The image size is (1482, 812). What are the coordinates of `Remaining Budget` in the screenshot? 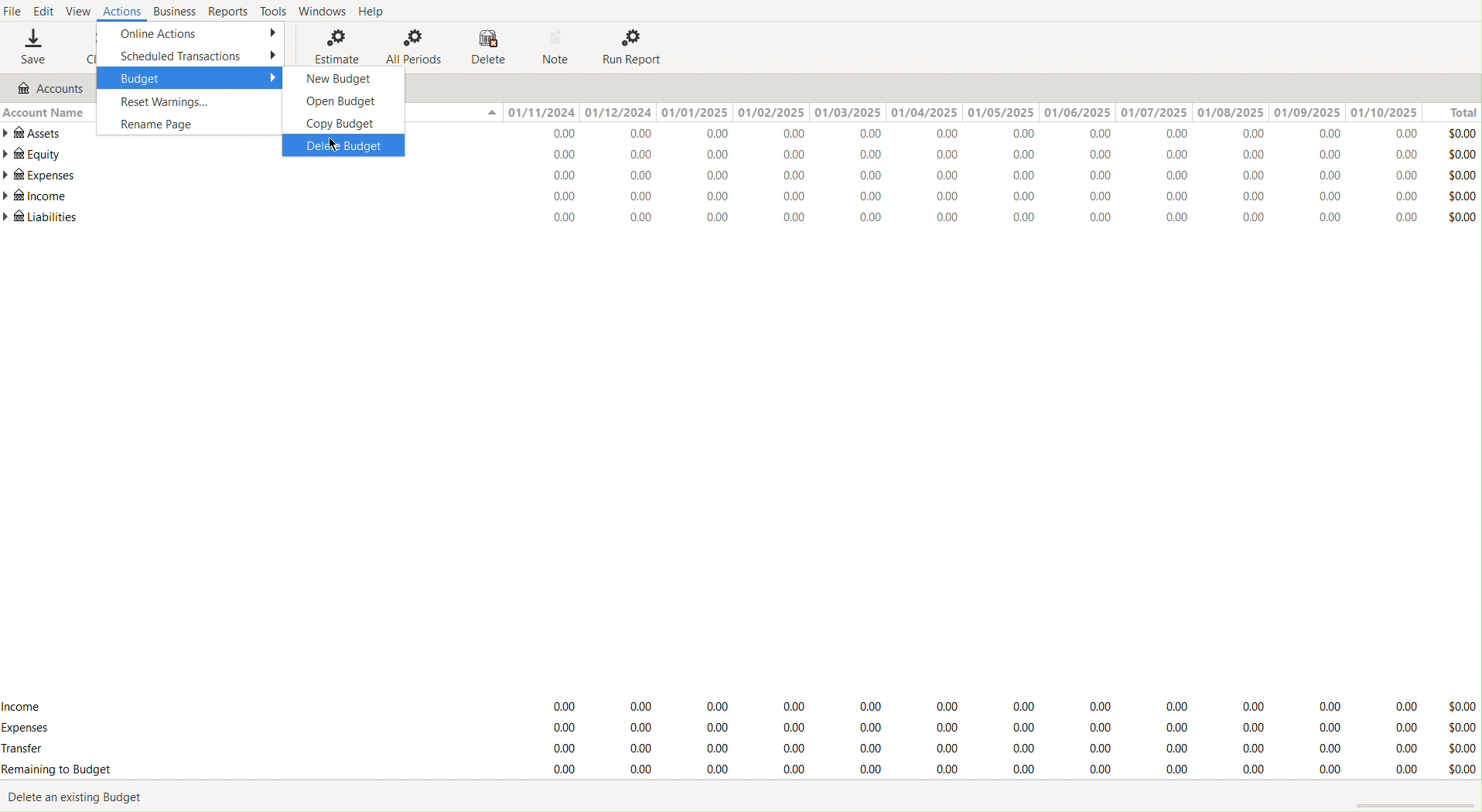 It's located at (57, 769).